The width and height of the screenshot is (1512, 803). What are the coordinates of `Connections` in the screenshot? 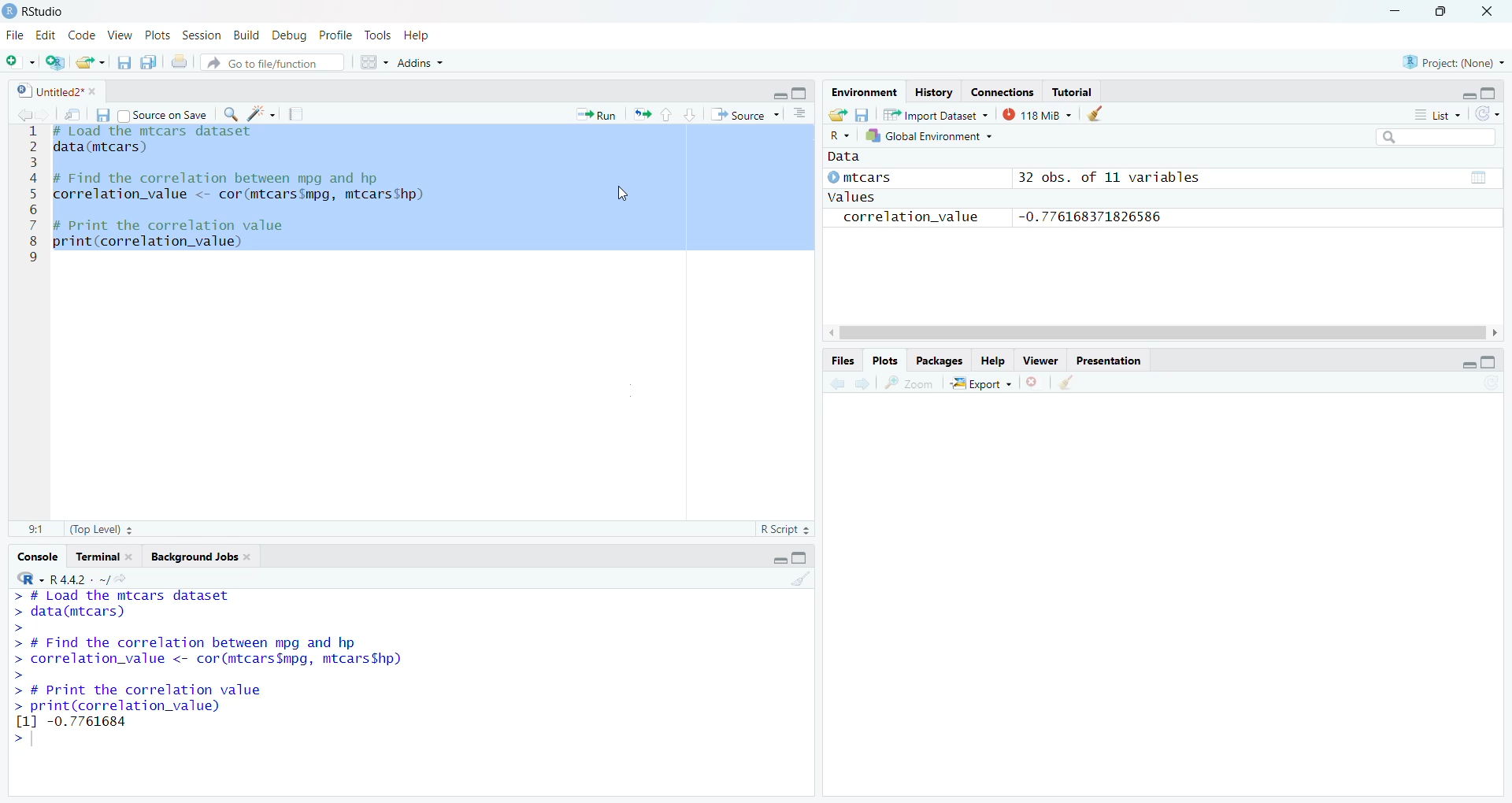 It's located at (1002, 92).